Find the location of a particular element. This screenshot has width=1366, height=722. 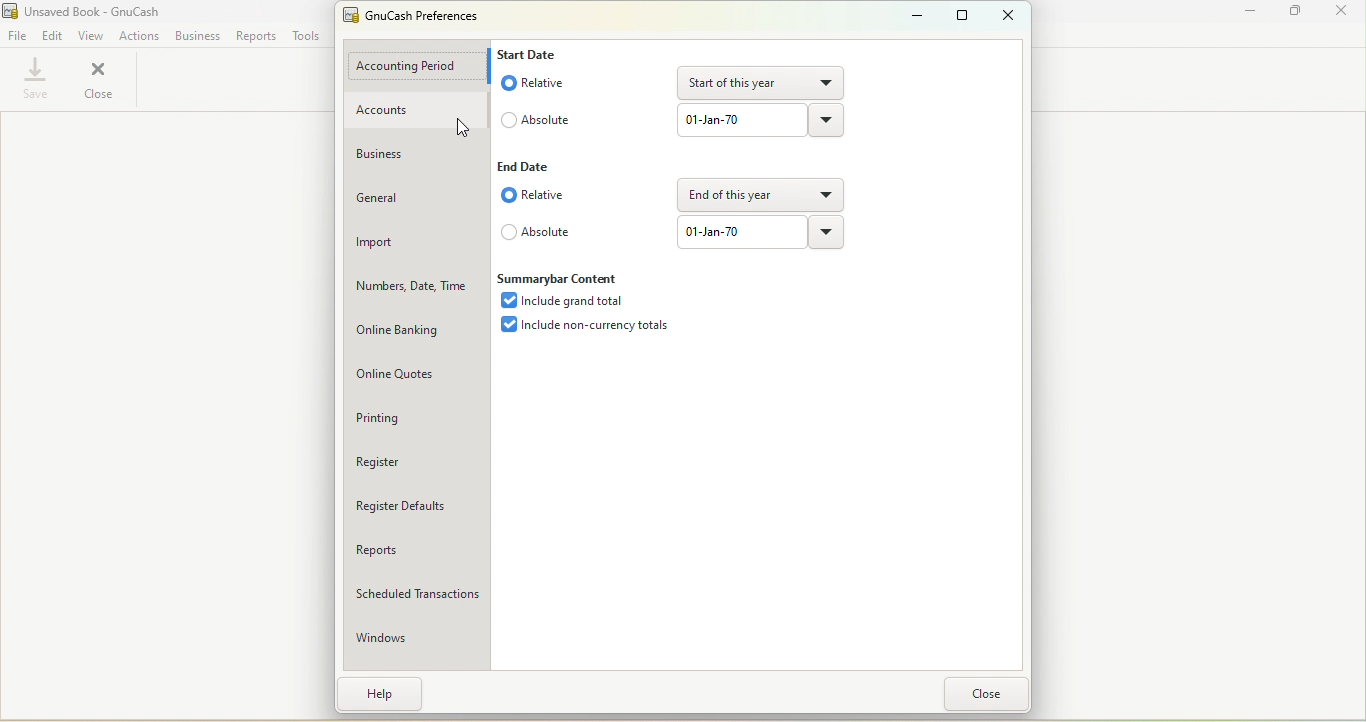

Save is located at coordinates (34, 80).